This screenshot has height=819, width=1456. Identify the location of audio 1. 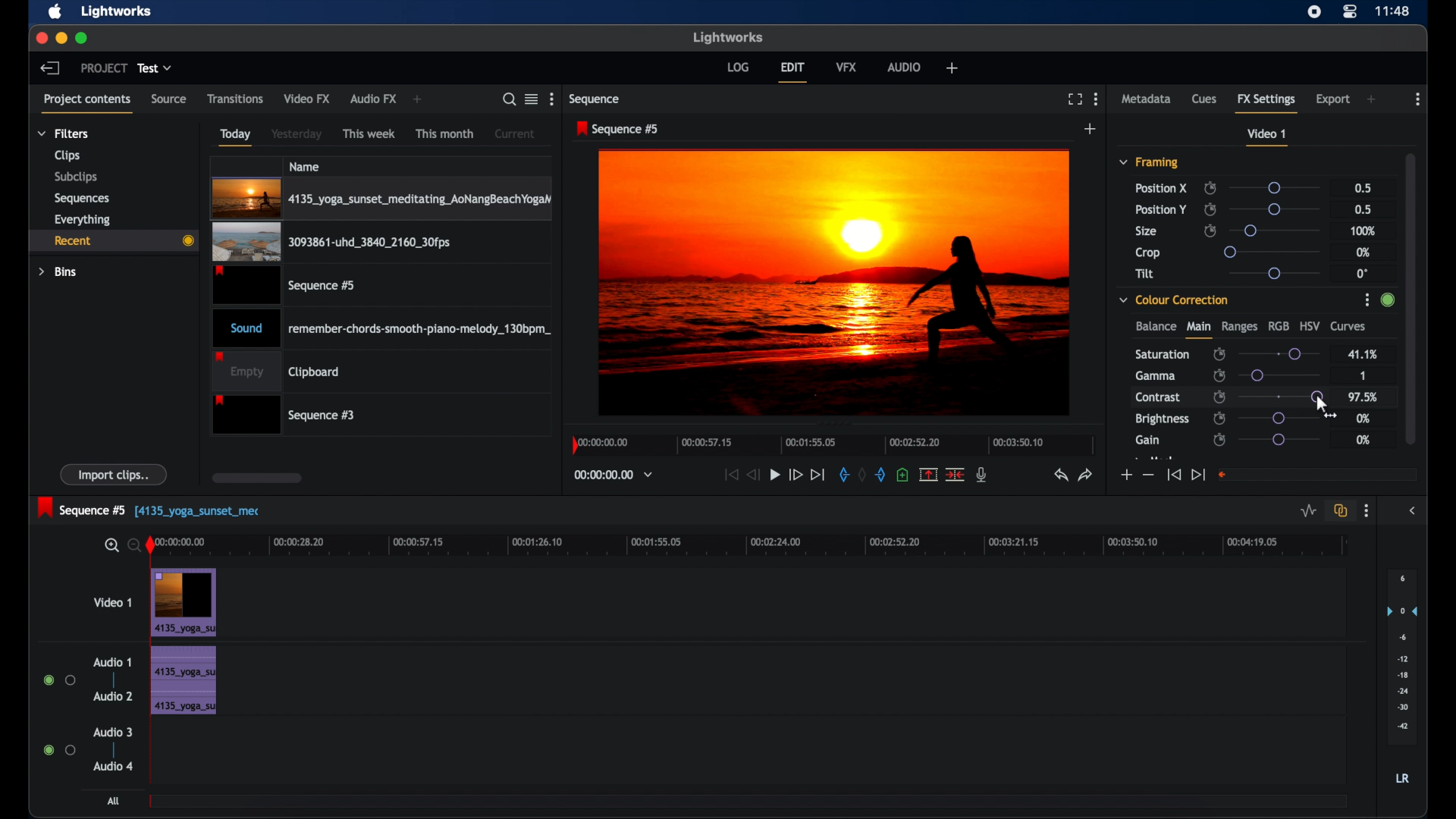
(112, 662).